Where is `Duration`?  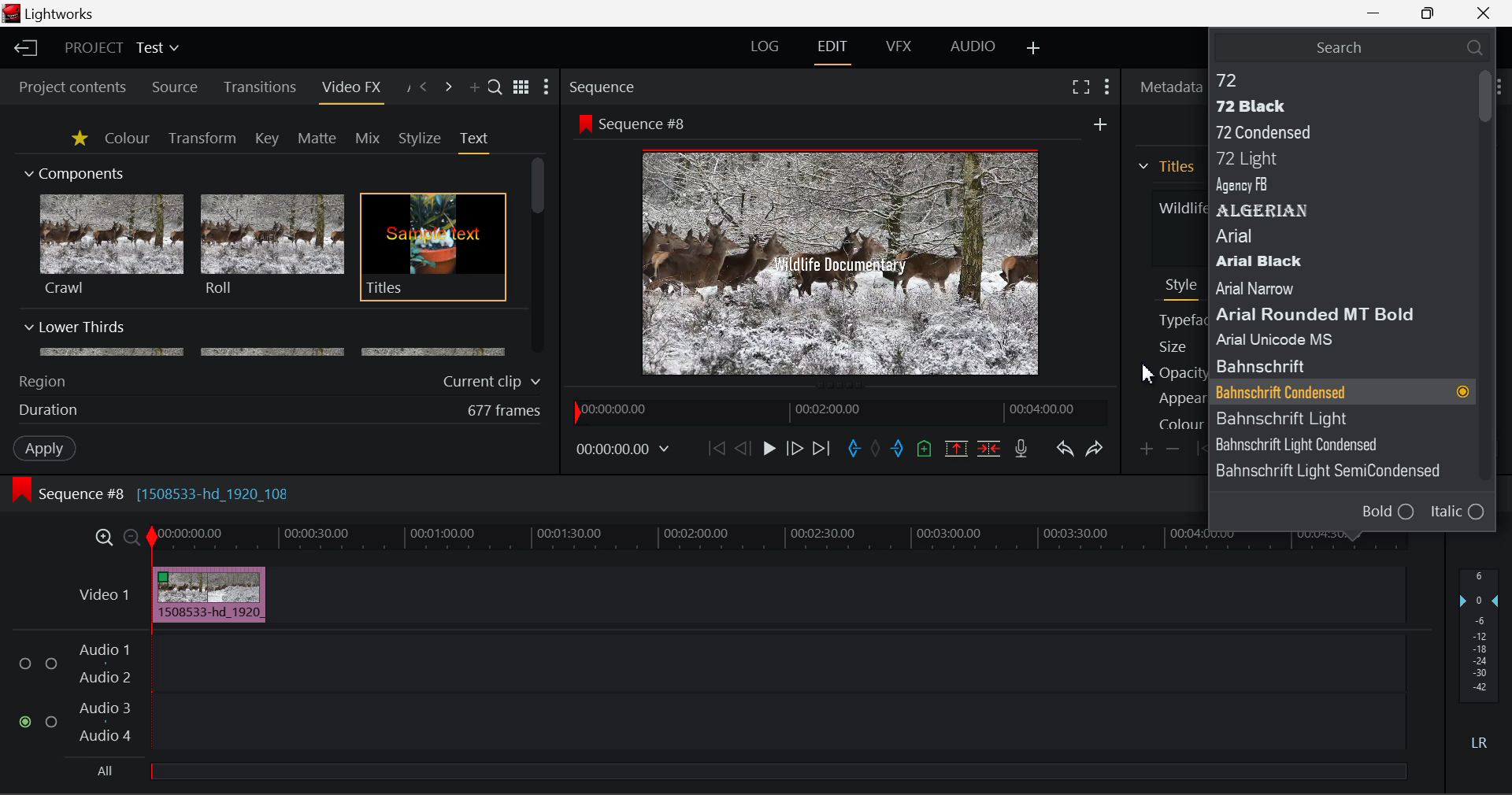
Duration is located at coordinates (50, 411).